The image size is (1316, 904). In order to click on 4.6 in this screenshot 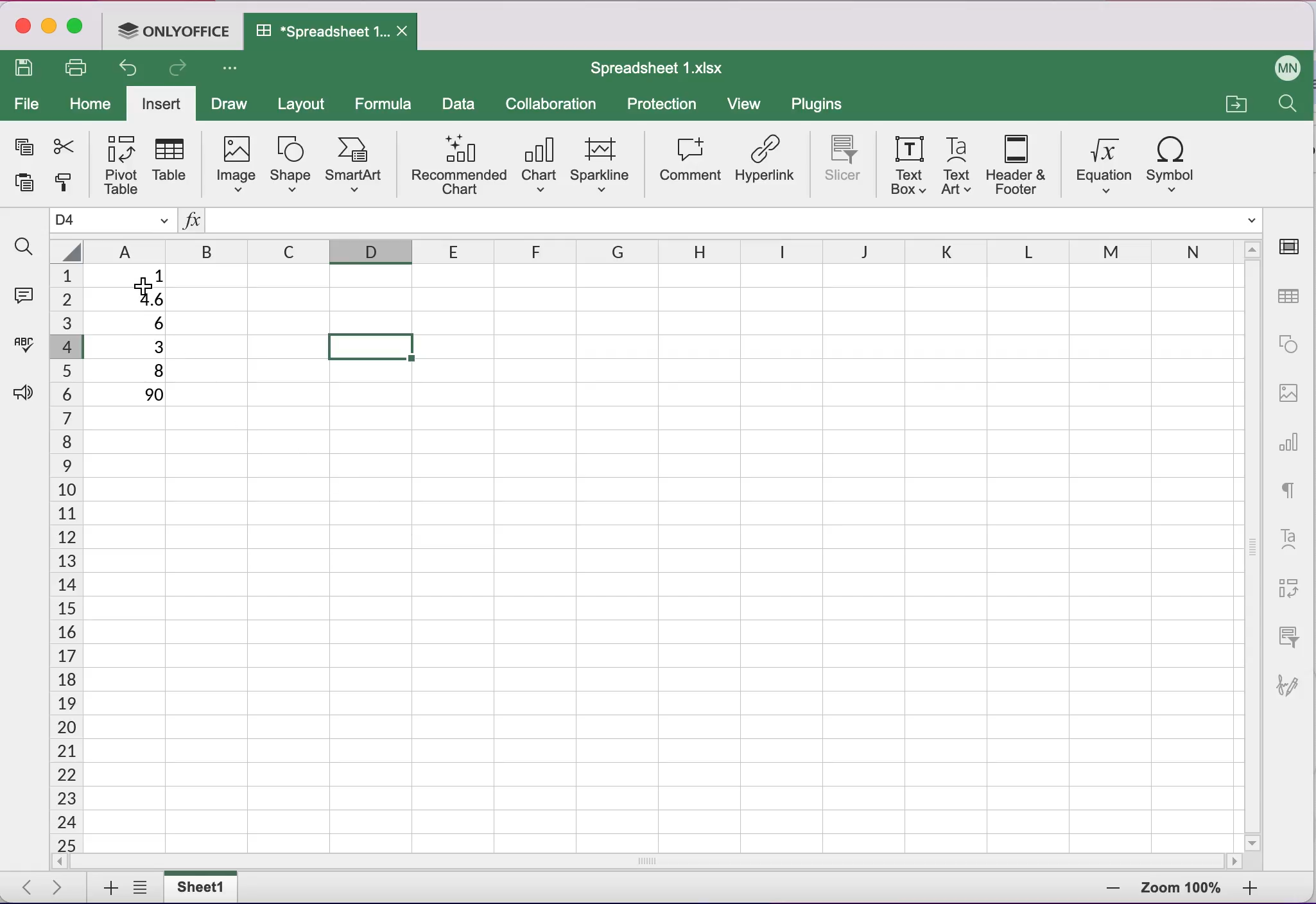, I will do `click(134, 302)`.